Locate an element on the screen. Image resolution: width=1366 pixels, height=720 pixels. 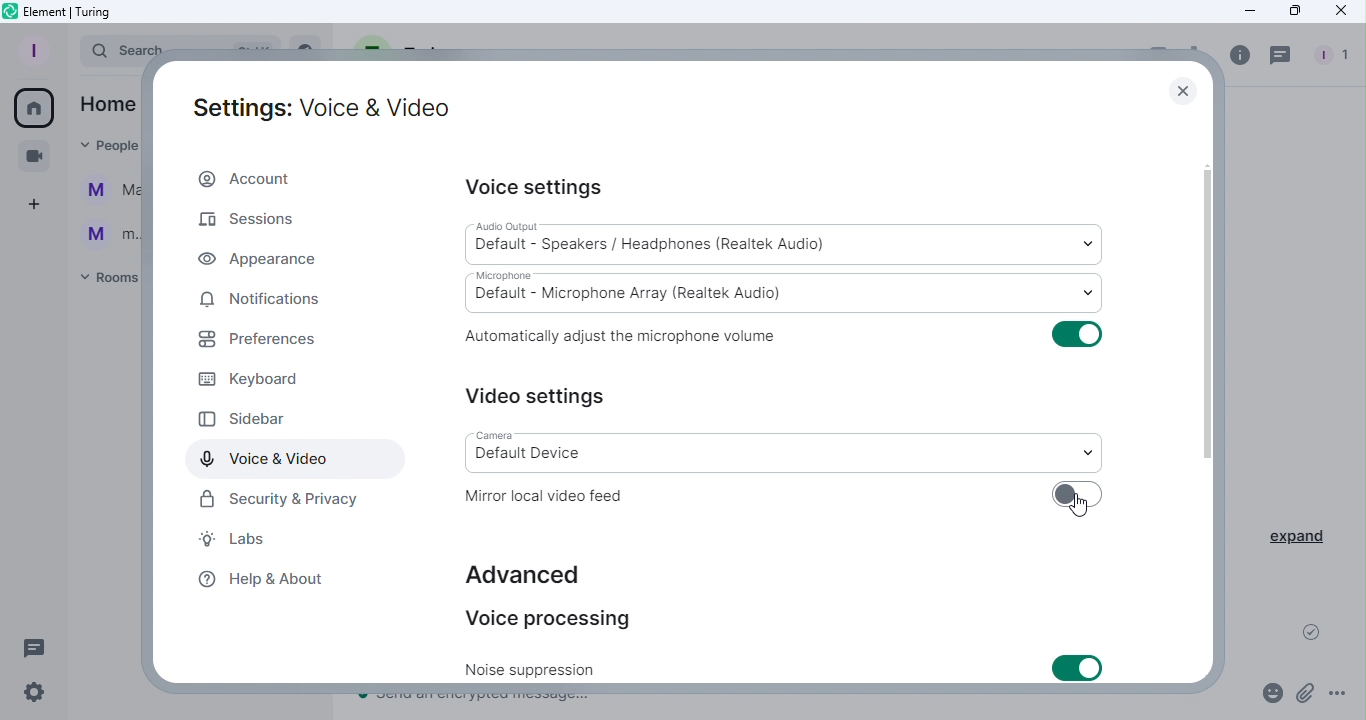
Settings: Voice and video is located at coordinates (322, 110).